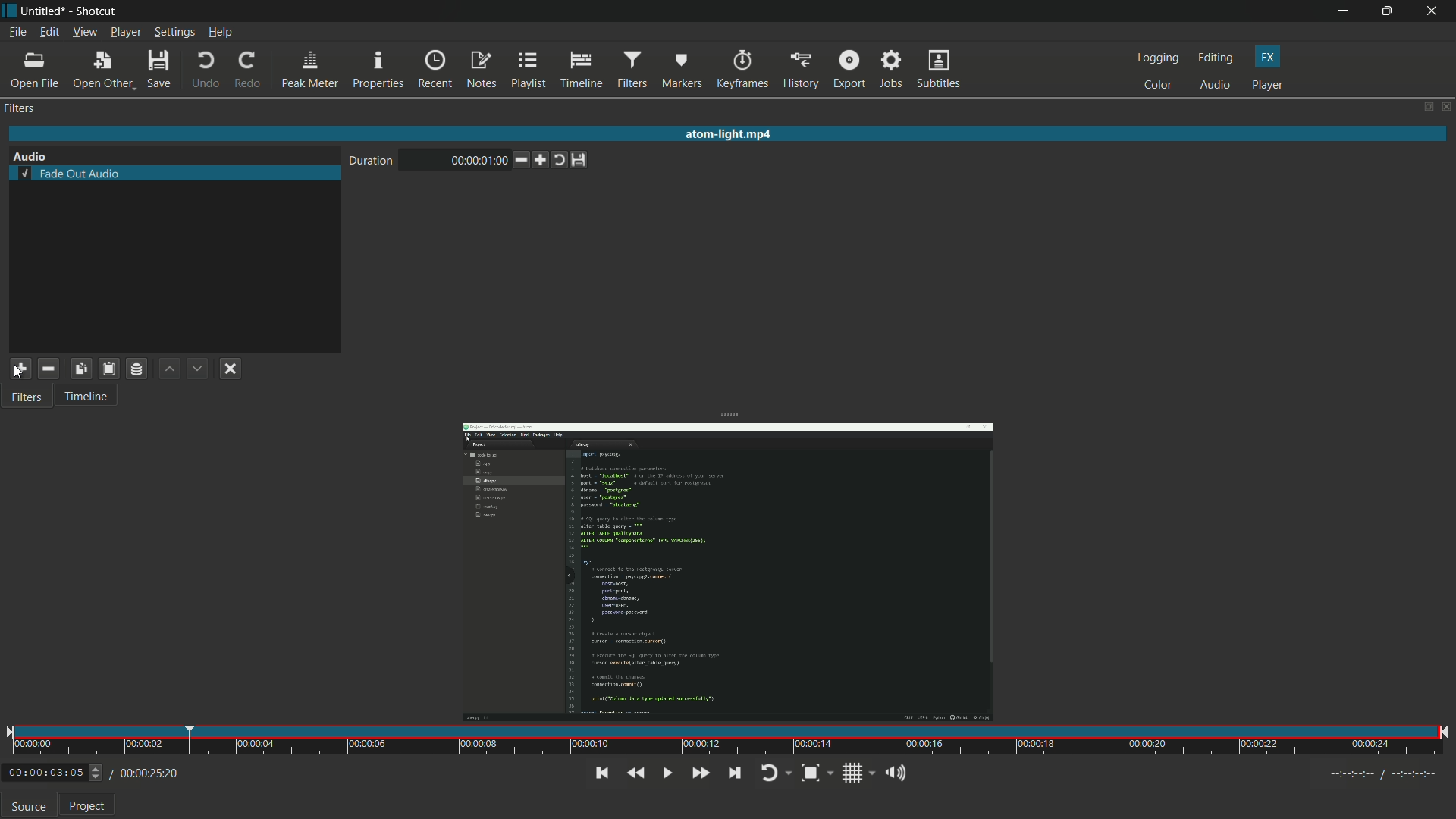  Describe the element at coordinates (37, 71) in the screenshot. I see `open file` at that location.